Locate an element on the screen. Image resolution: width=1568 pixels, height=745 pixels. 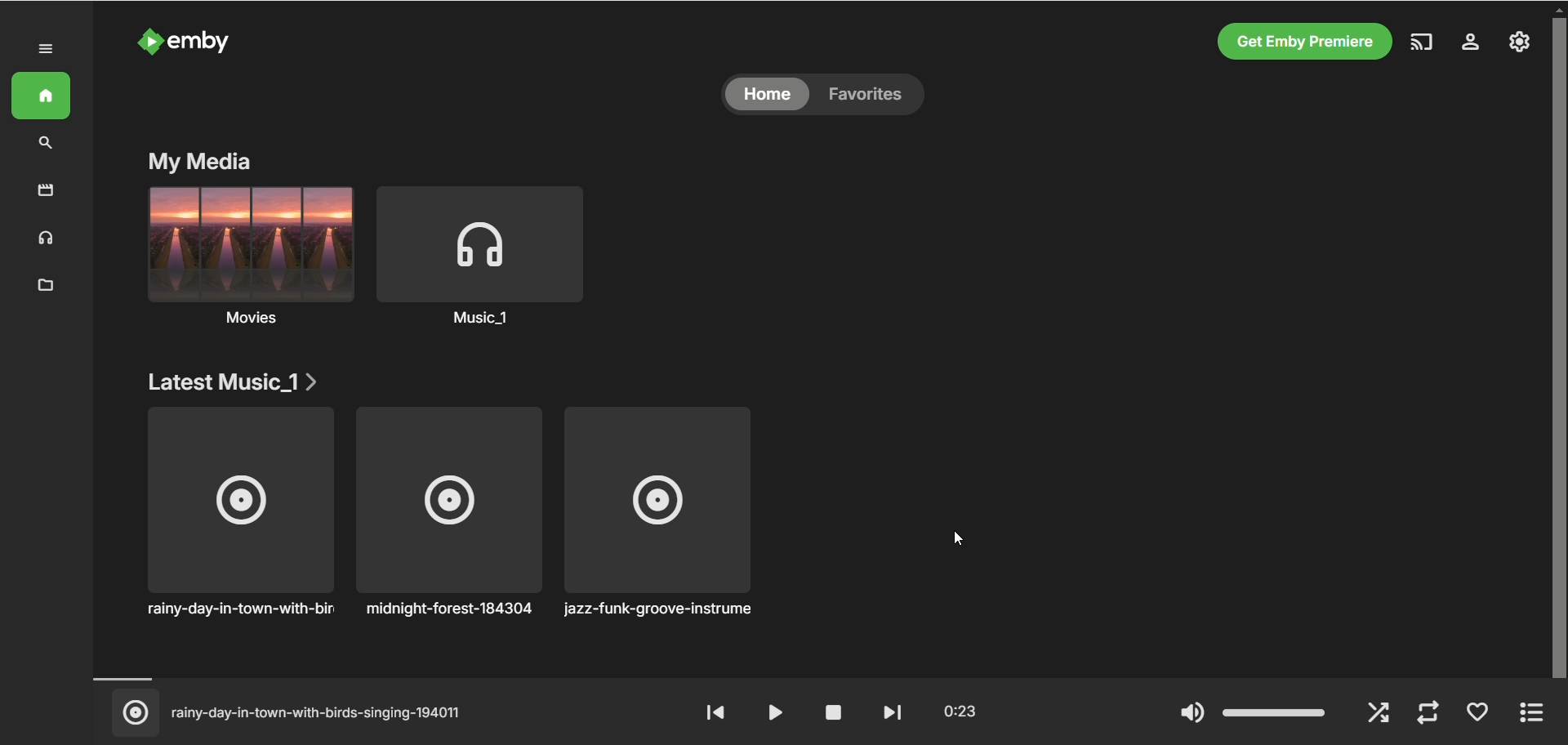
settings is located at coordinates (1468, 42).